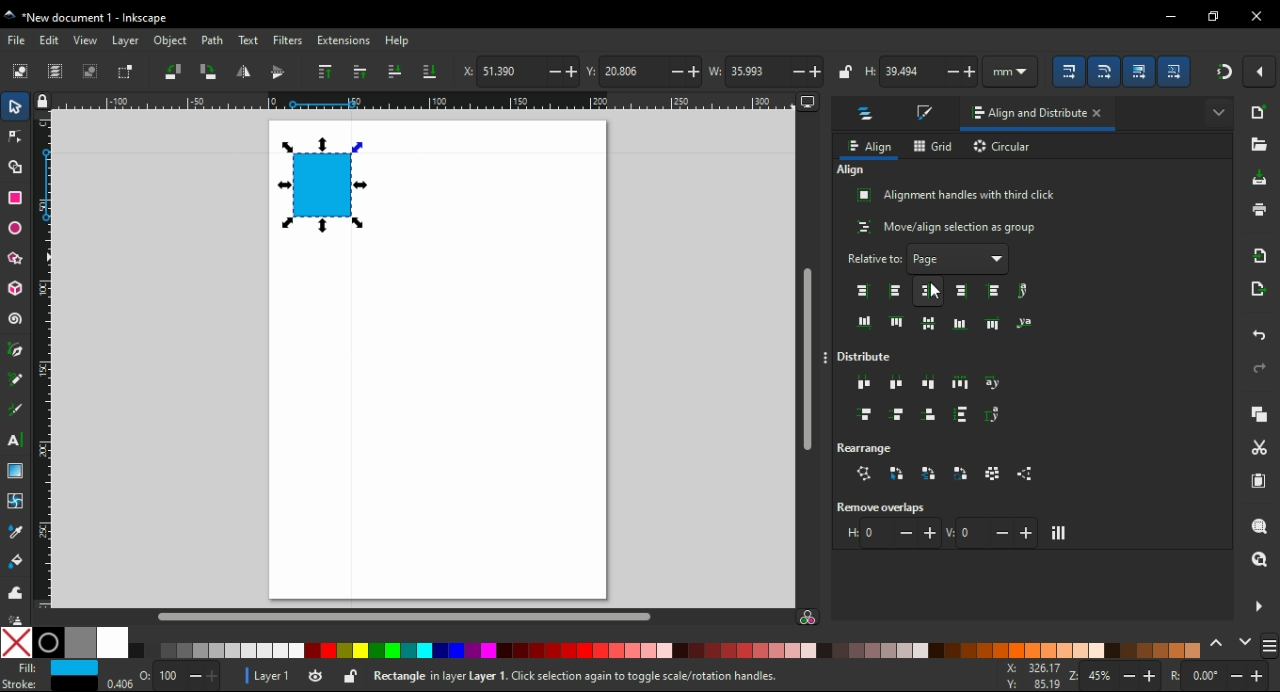 This screenshot has height=692, width=1280. I want to click on object flip vertical, so click(278, 73).